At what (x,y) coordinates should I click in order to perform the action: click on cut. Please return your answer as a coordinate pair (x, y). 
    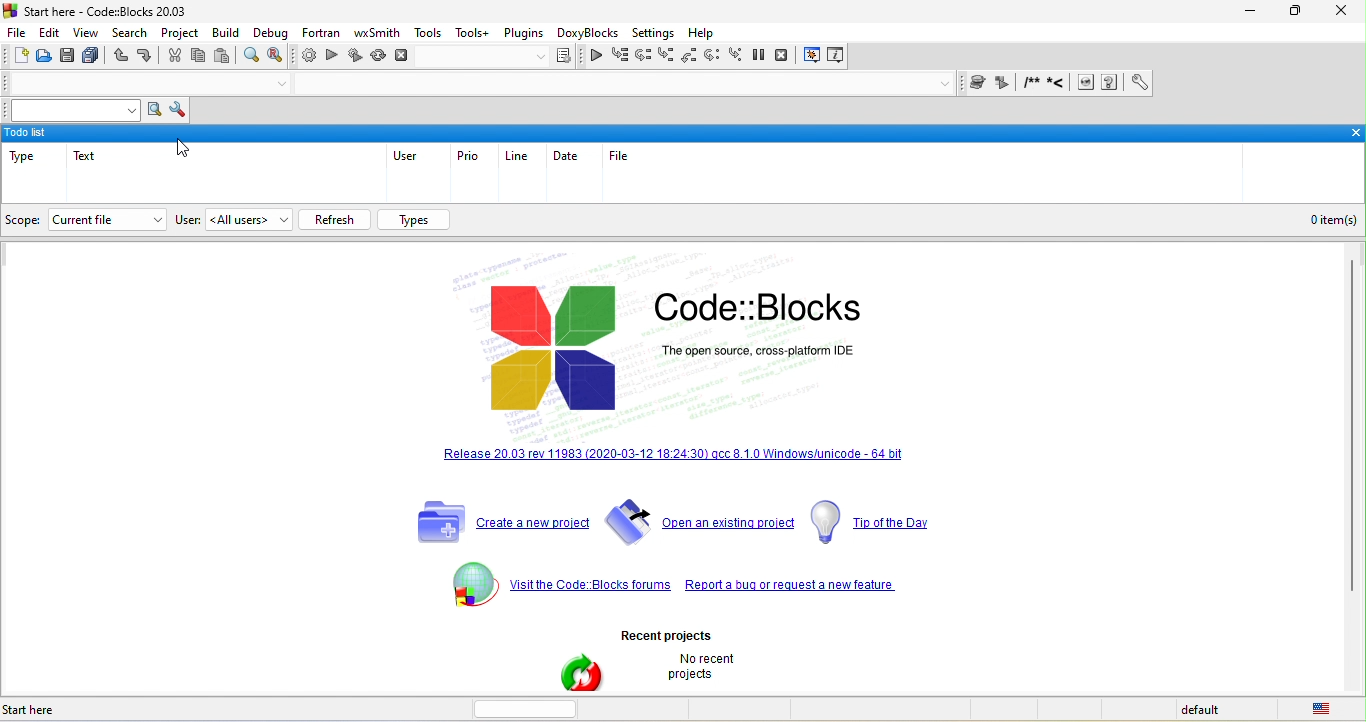
    Looking at the image, I should click on (172, 58).